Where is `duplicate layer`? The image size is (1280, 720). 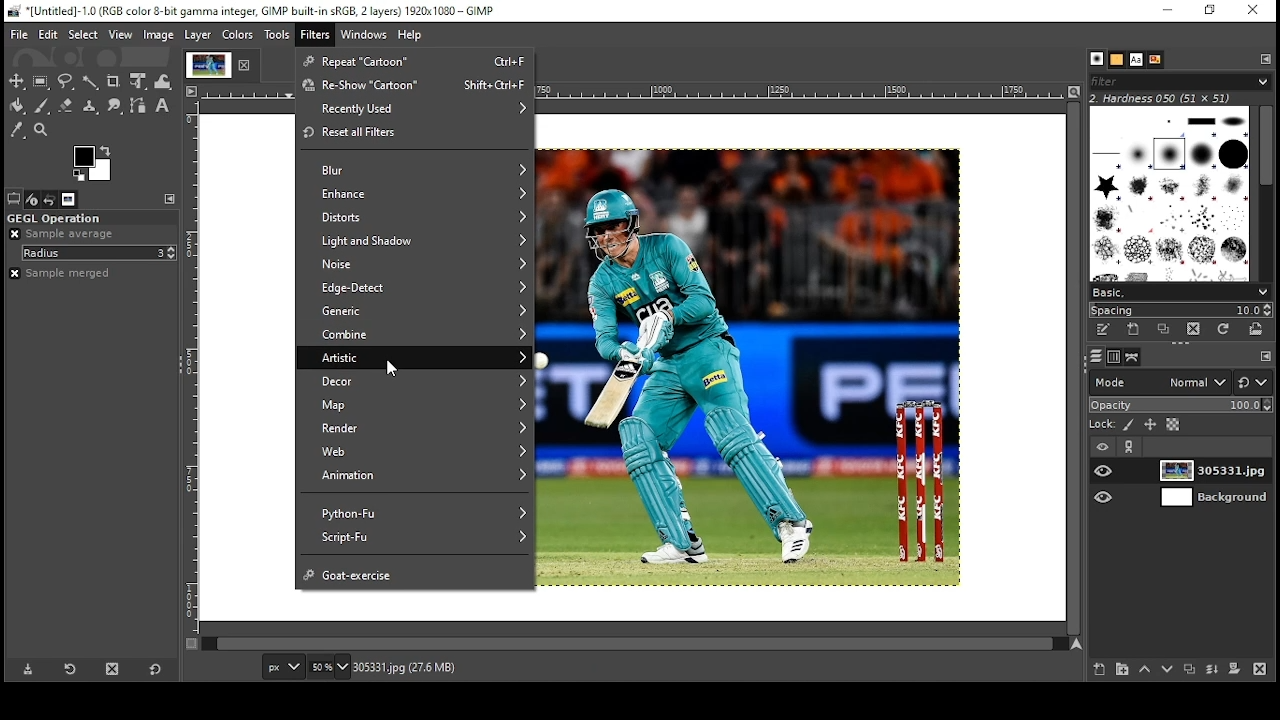
duplicate layer is located at coordinates (1192, 670).